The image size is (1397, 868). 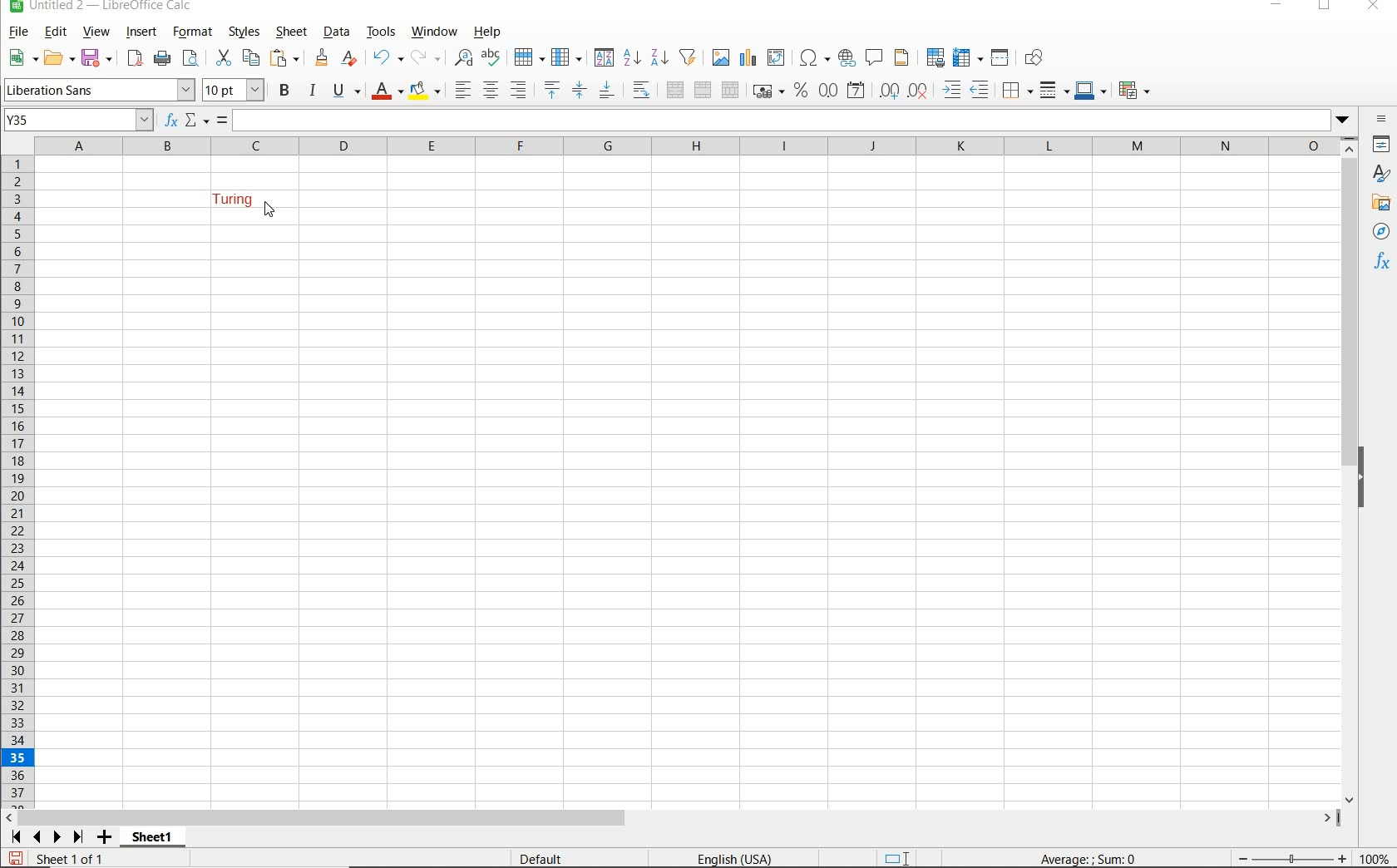 I want to click on WINDOW, so click(x=434, y=31).